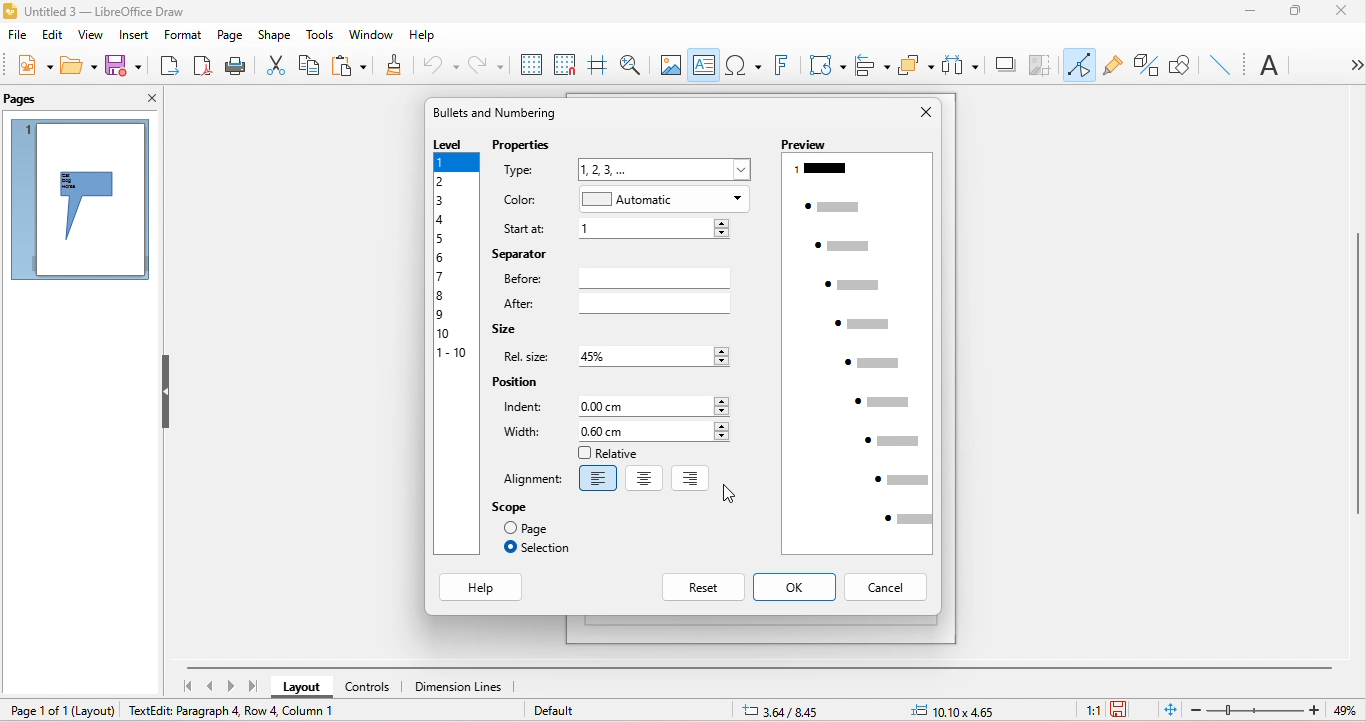 The height and width of the screenshot is (722, 1366). What do you see at coordinates (123, 65) in the screenshot?
I see `save` at bounding box center [123, 65].